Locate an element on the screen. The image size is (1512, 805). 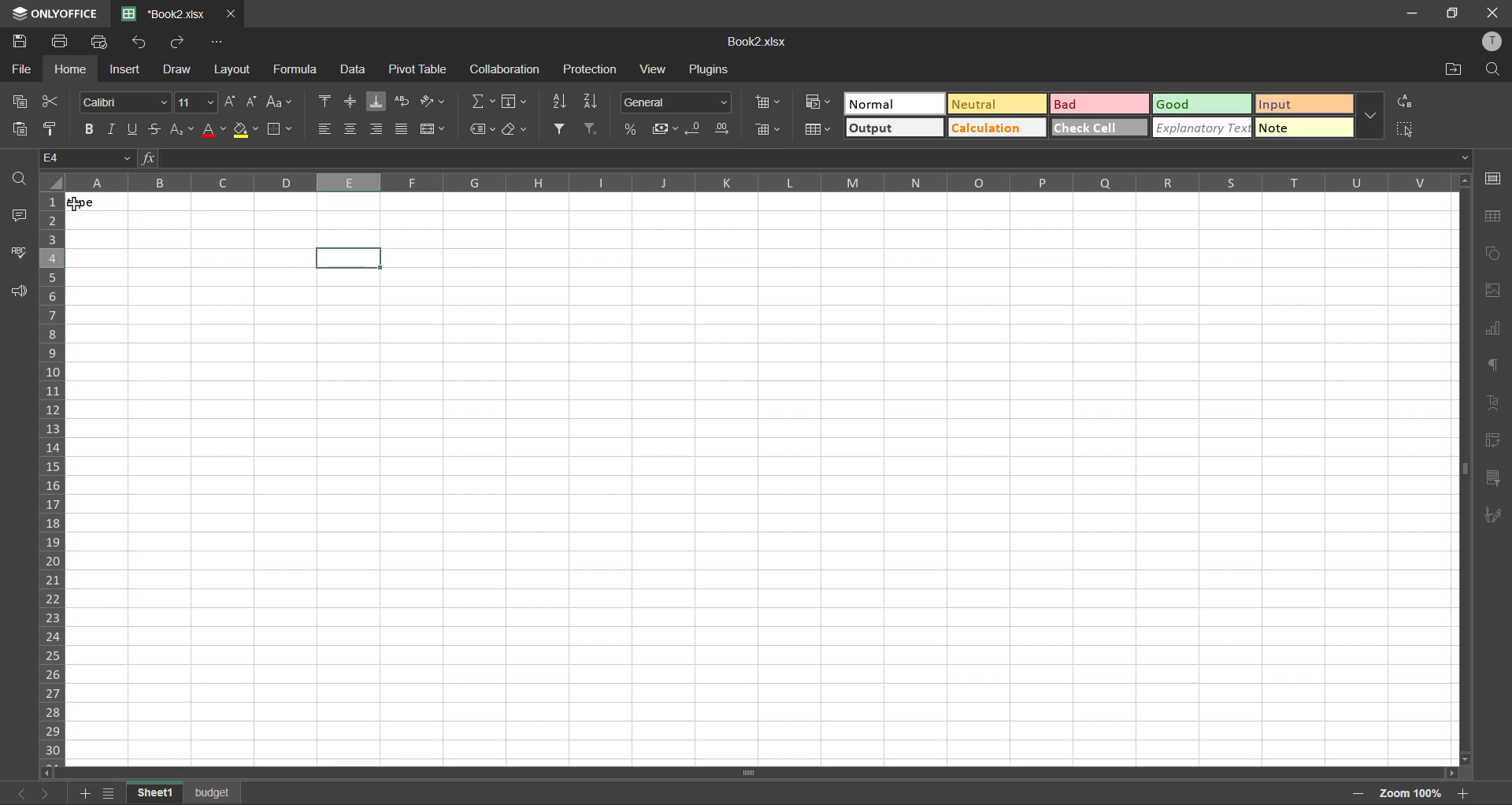
strikethrough is located at coordinates (160, 130).